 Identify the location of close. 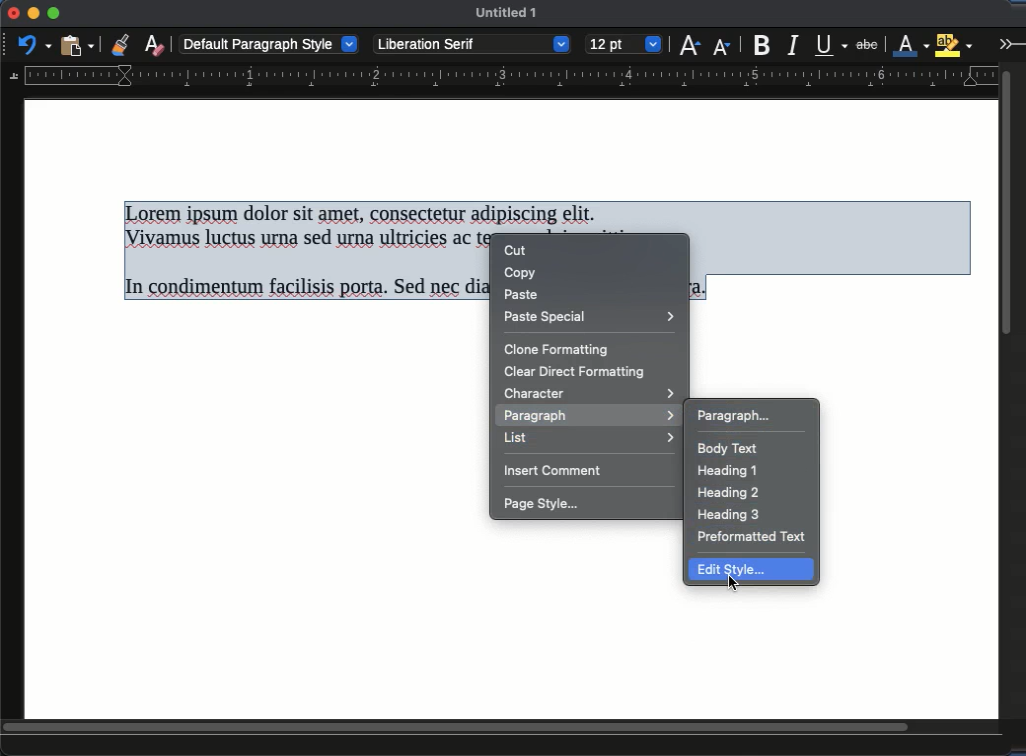
(12, 14).